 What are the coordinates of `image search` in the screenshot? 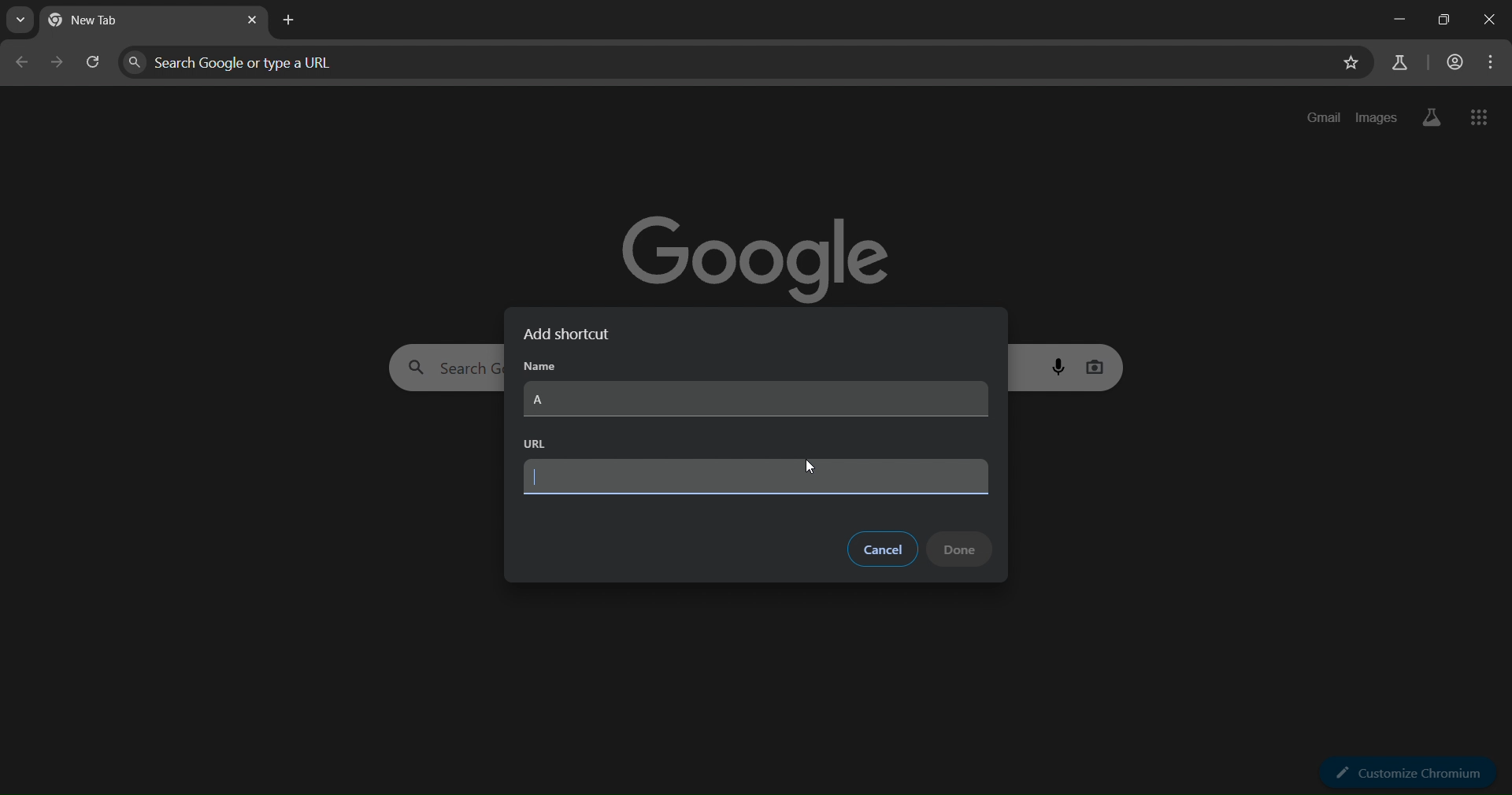 It's located at (1097, 364).